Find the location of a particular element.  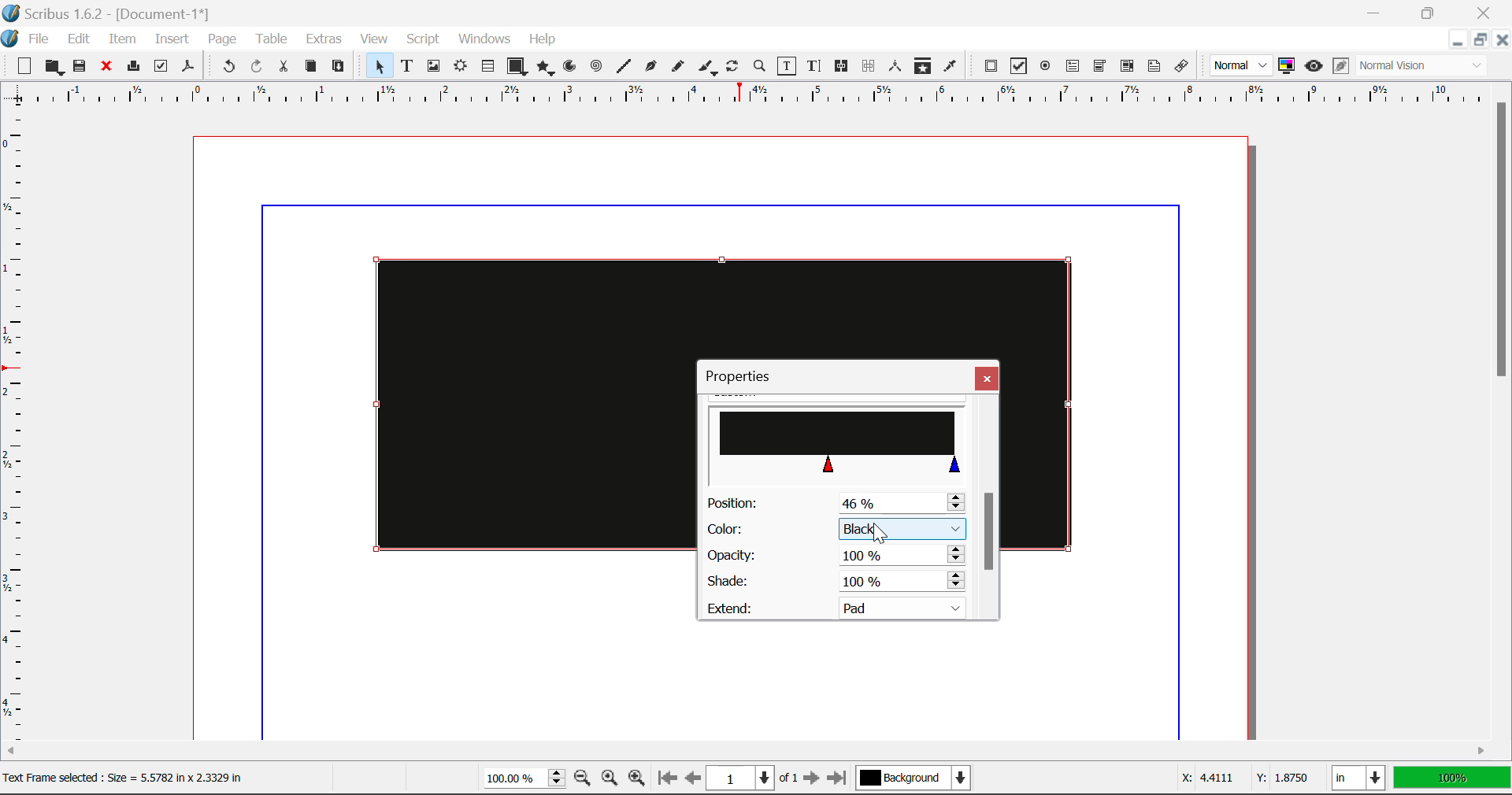

Discard is located at coordinates (106, 68).